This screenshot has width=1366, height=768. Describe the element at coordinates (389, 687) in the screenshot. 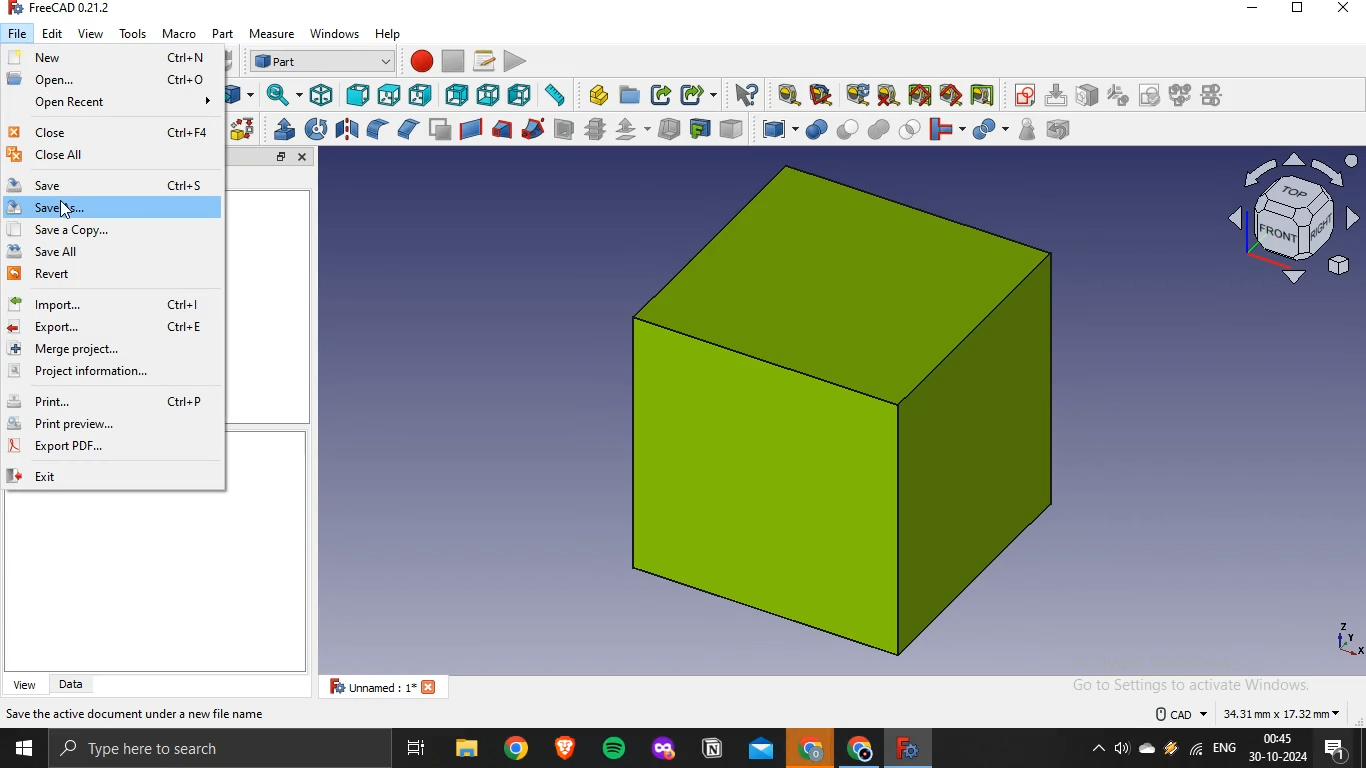

I see `unnamed` at that location.